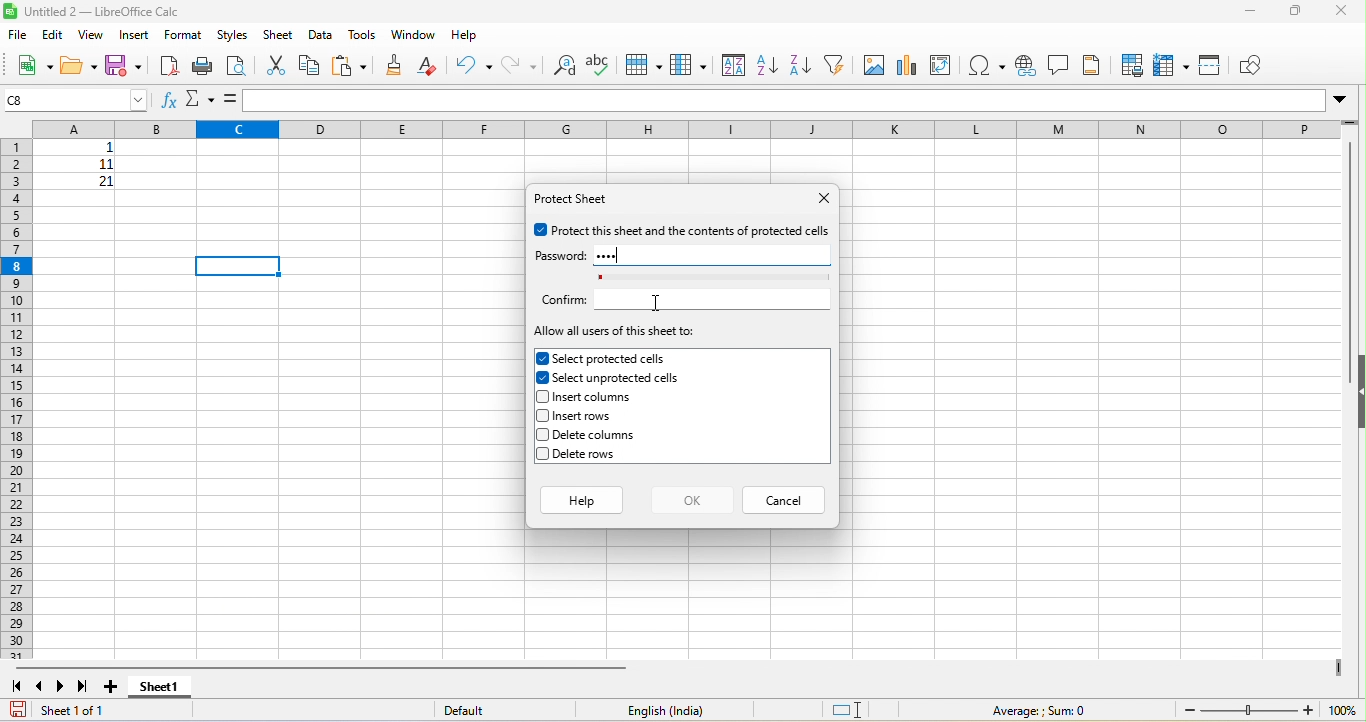 The image size is (1366, 722). I want to click on open, so click(78, 67).